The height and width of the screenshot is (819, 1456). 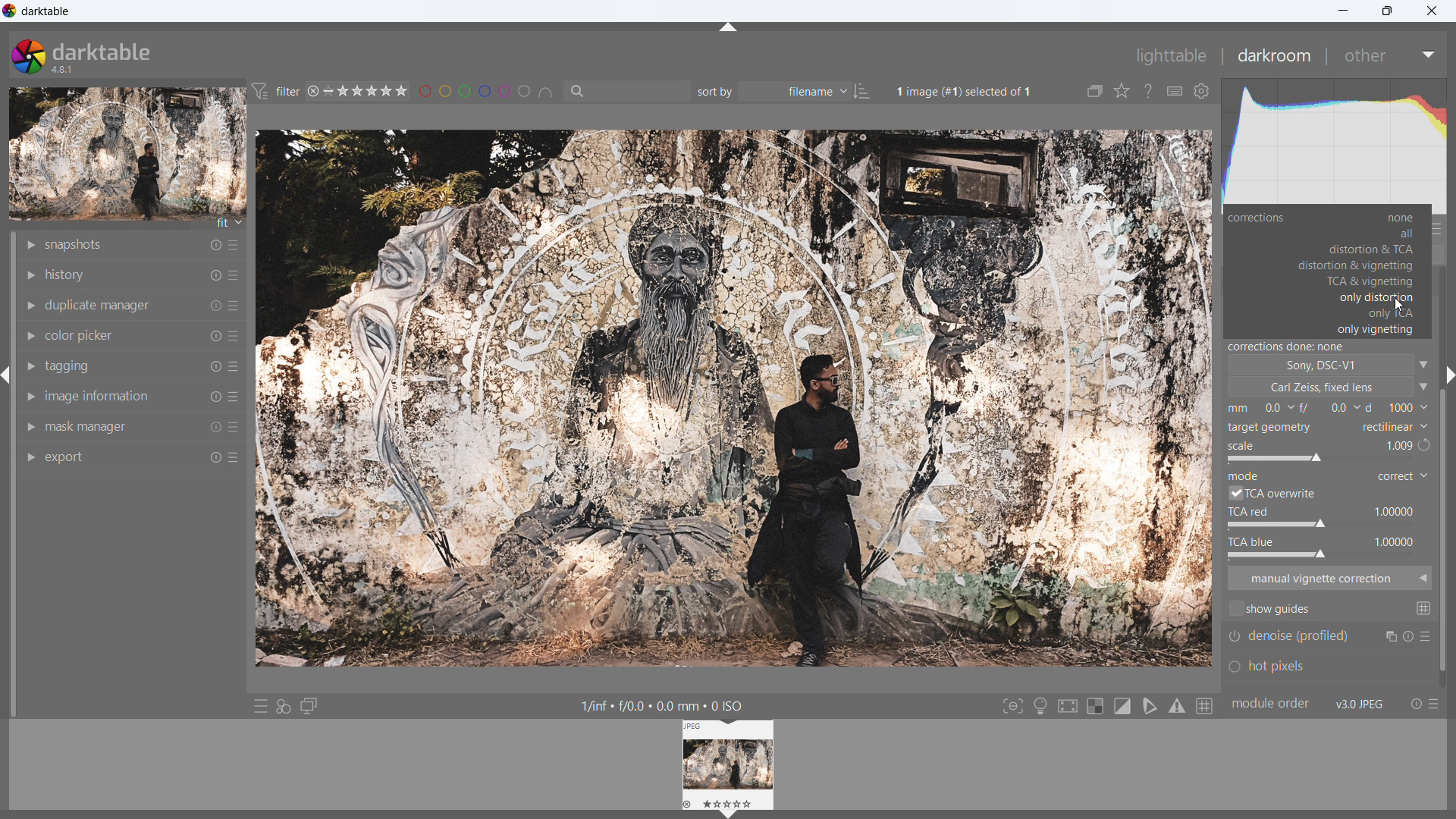 I want to click on no rating, so click(x=332, y=93).